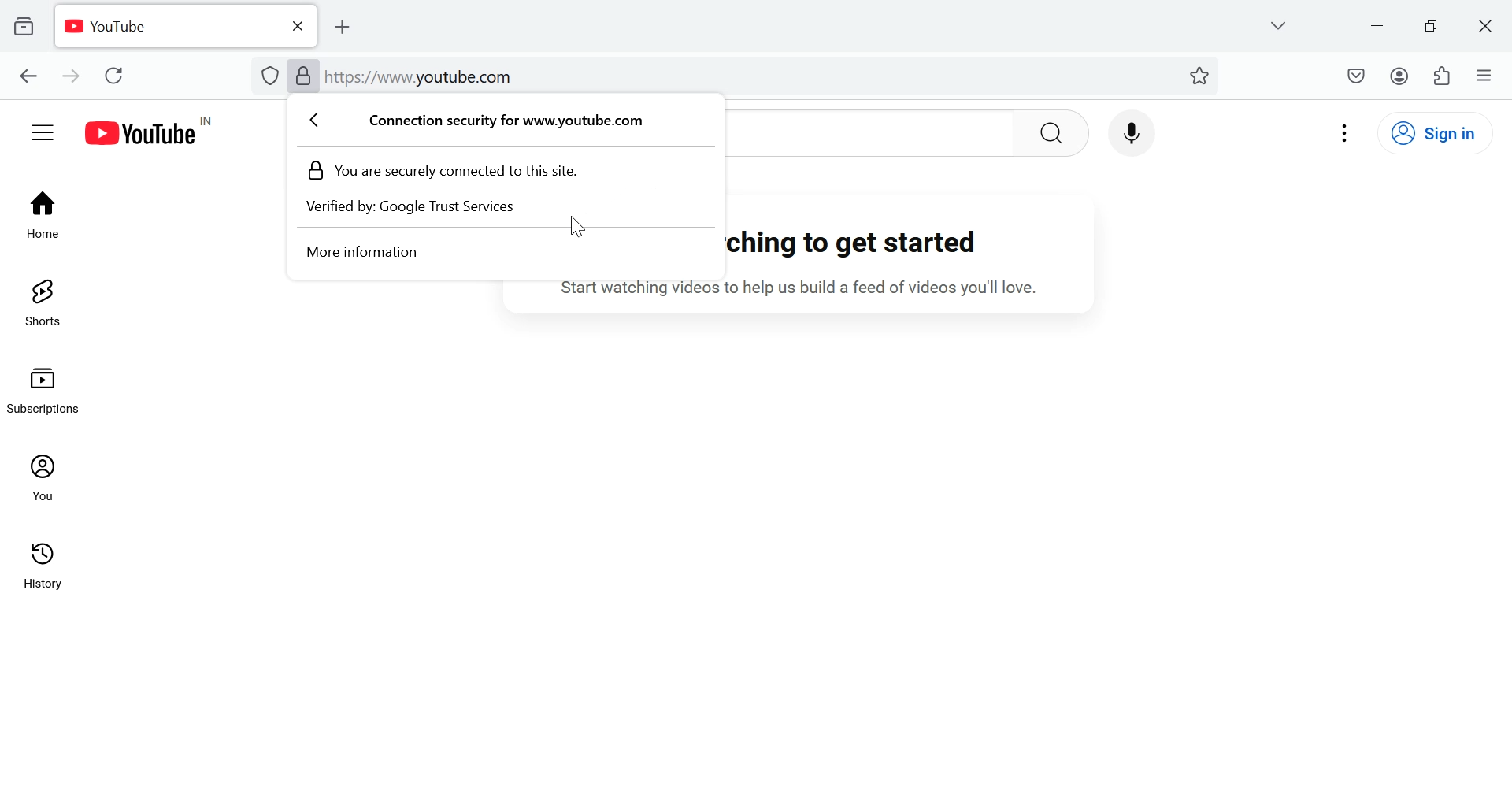 The width and height of the screenshot is (1512, 794). I want to click on Start watching videos to help us build a feed of videos you'll love., so click(817, 289).